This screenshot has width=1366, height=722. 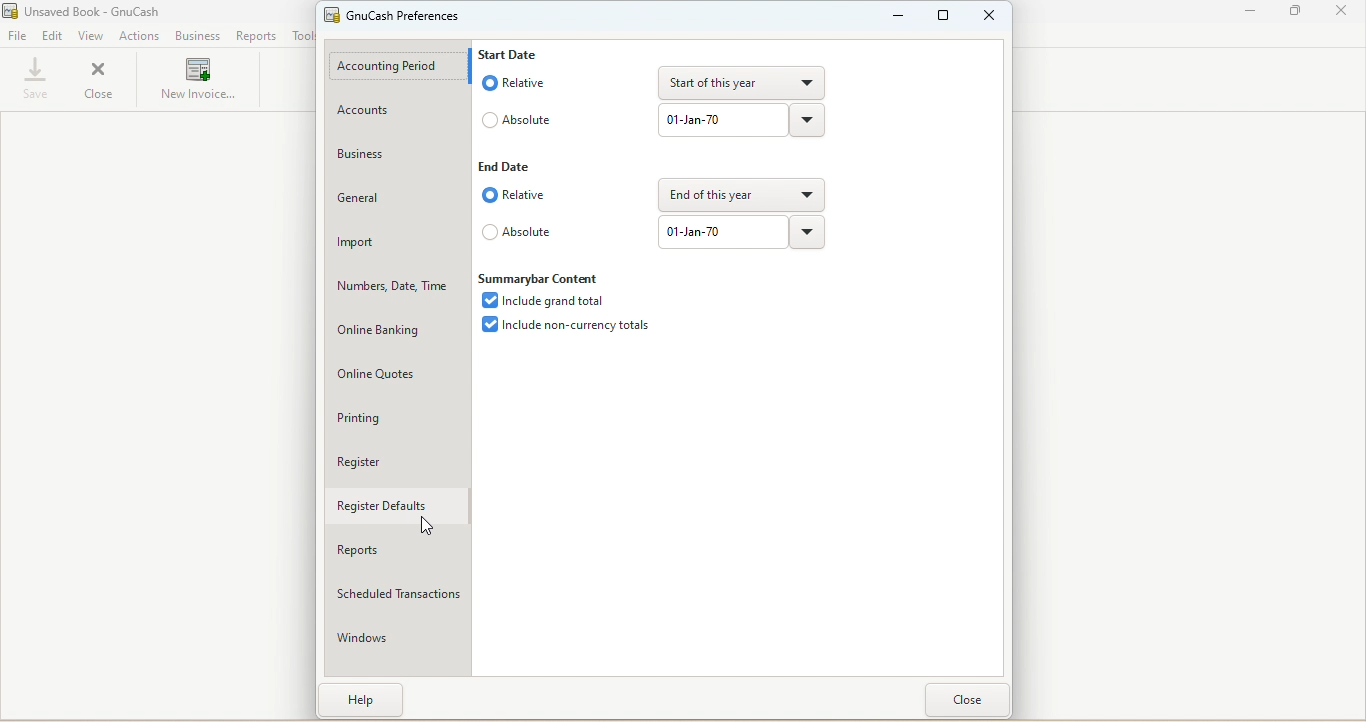 What do you see at coordinates (724, 121) in the screenshot?
I see `Text box` at bounding box center [724, 121].